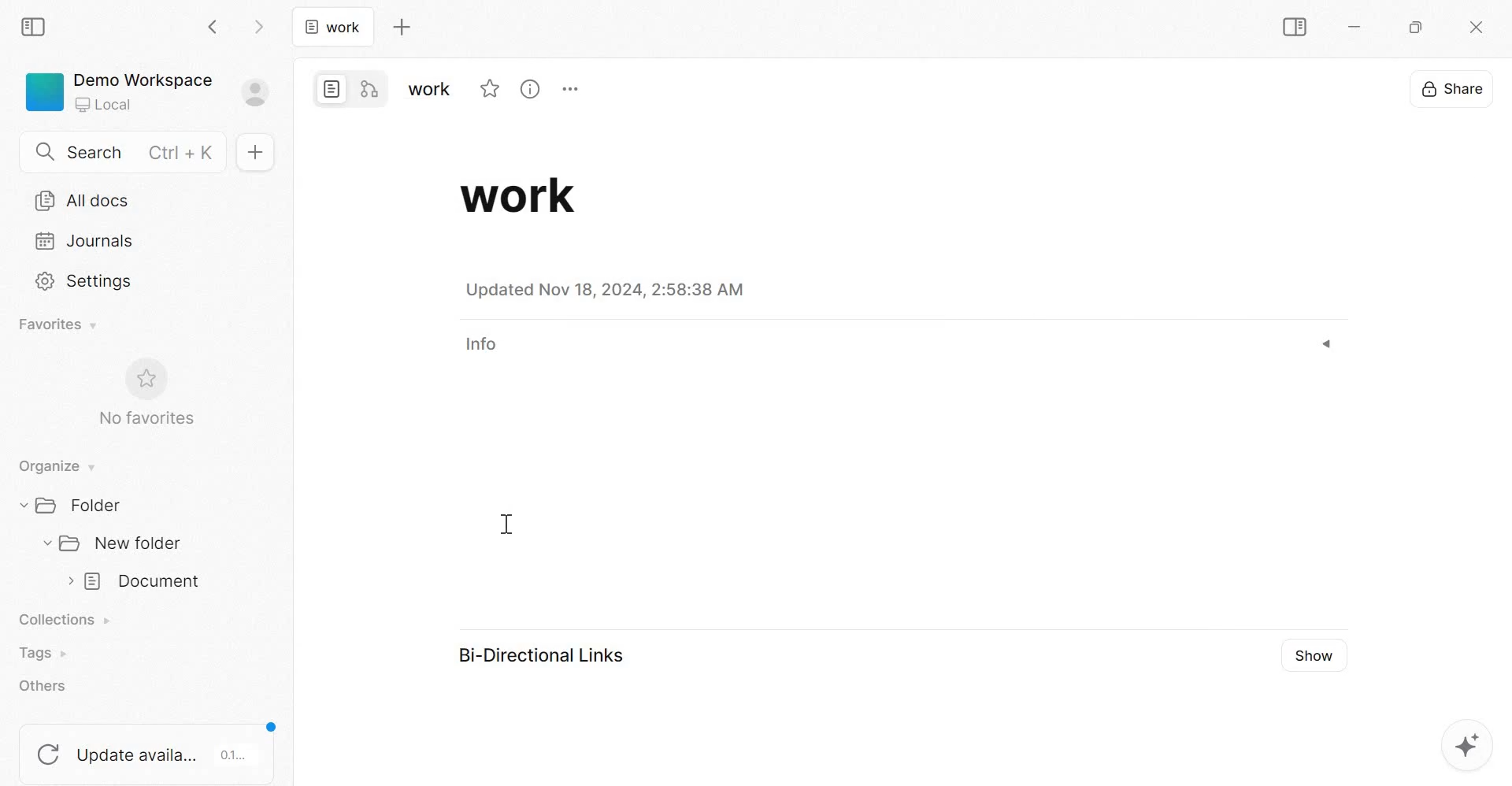  I want to click on No favorites, so click(144, 392).